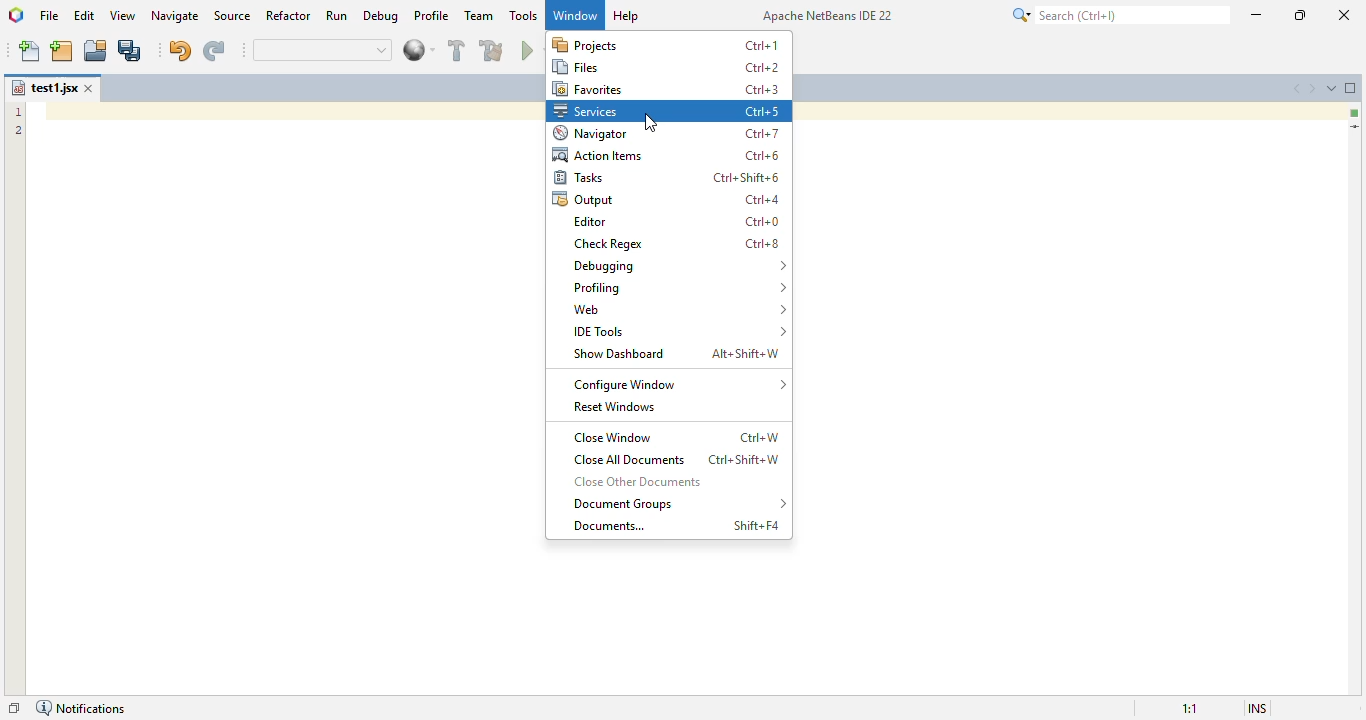  What do you see at coordinates (762, 133) in the screenshot?
I see `shortcut for navigator` at bounding box center [762, 133].